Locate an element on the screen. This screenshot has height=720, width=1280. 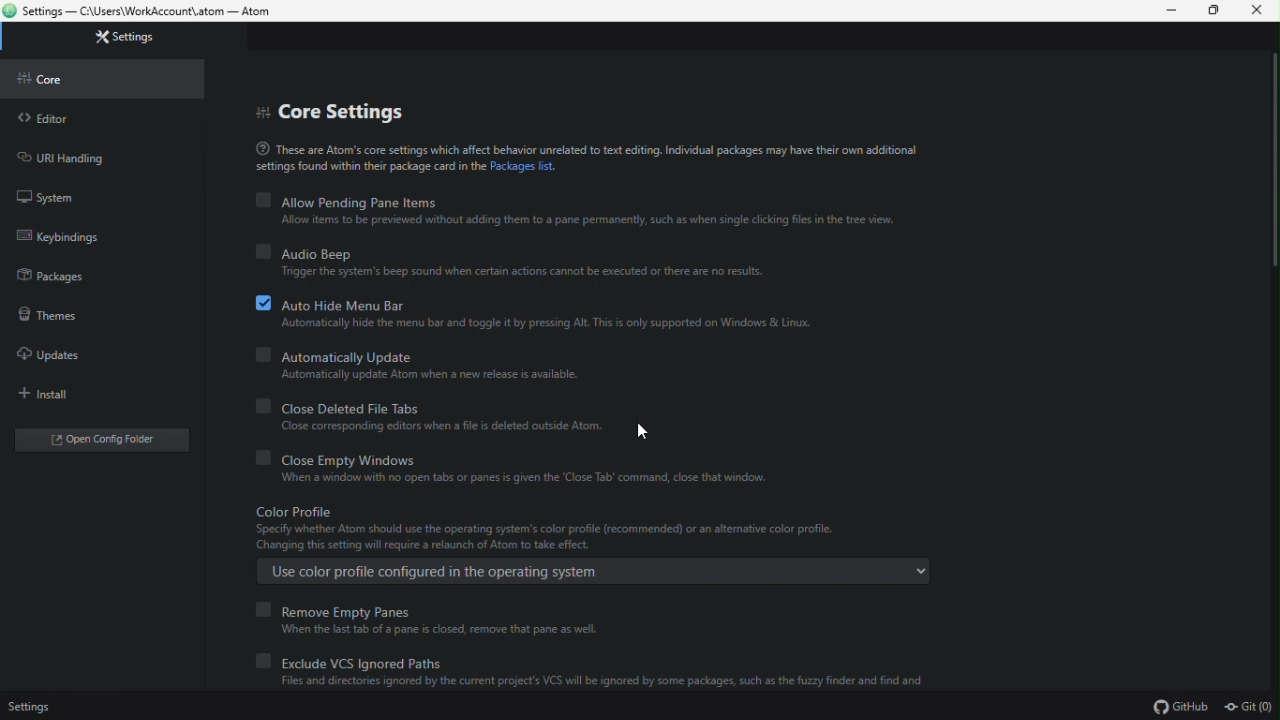
Editor is located at coordinates (105, 118).